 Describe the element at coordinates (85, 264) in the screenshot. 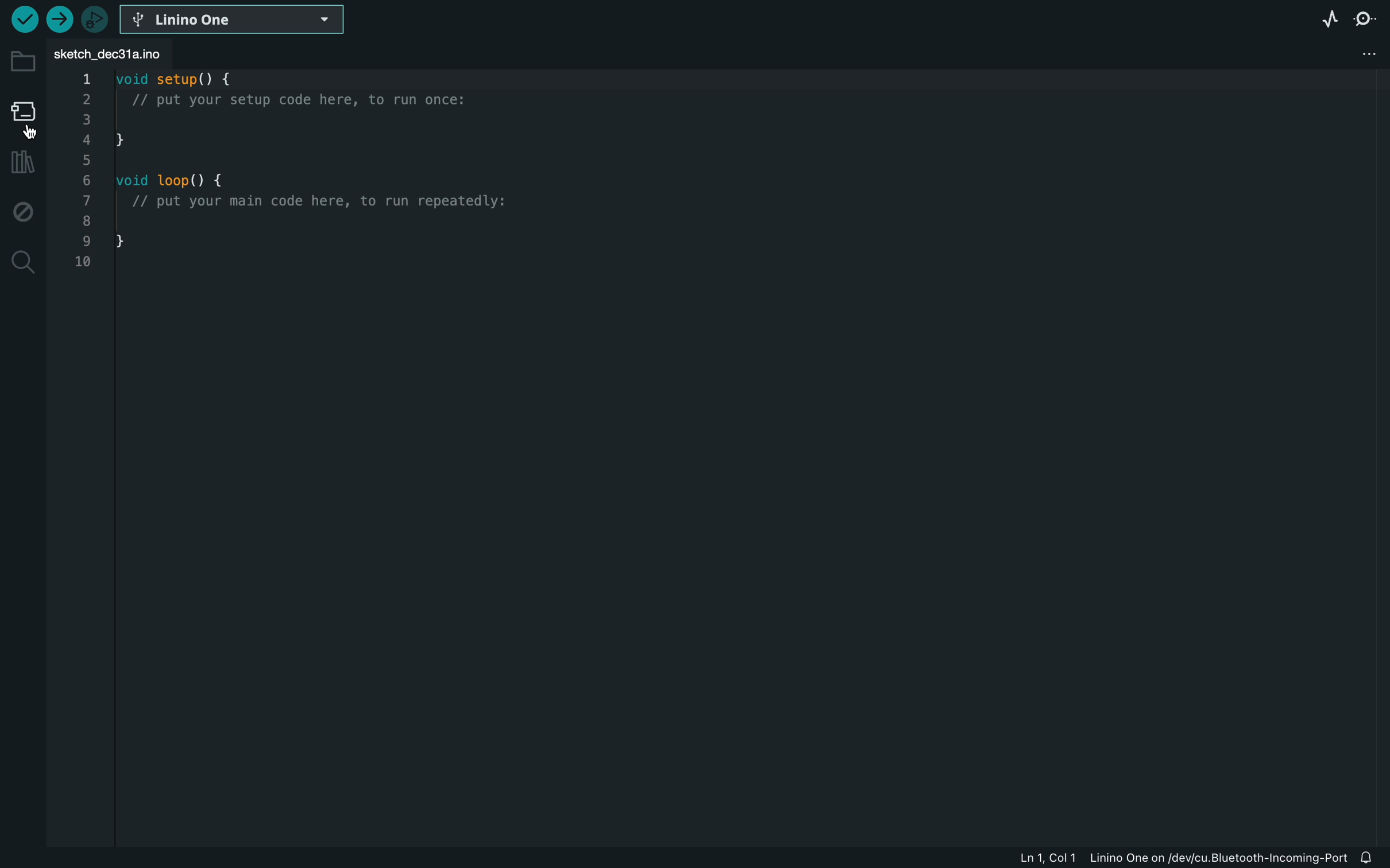

I see `10` at that location.